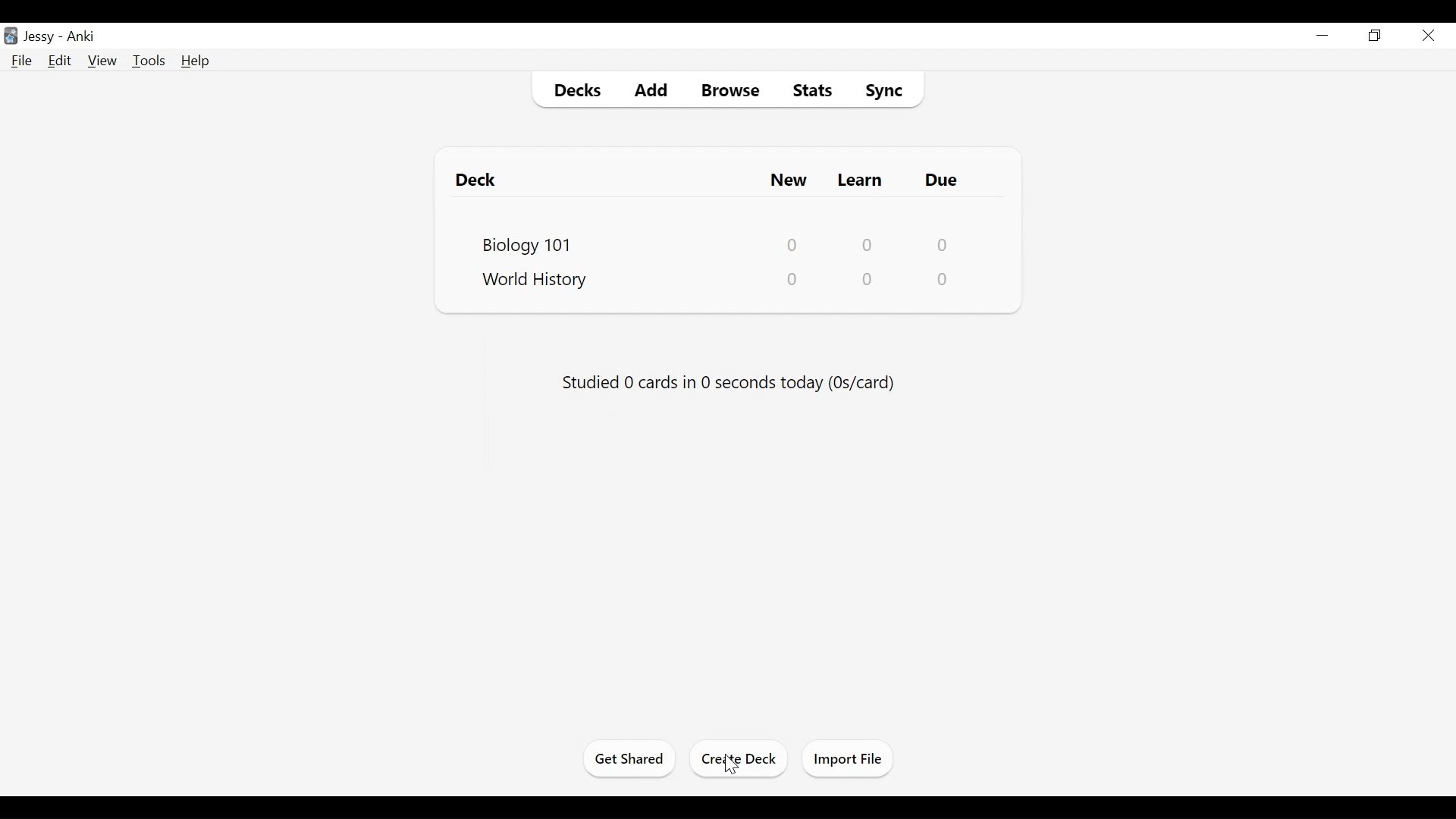 This screenshot has height=819, width=1456. What do you see at coordinates (196, 61) in the screenshot?
I see `Help` at bounding box center [196, 61].